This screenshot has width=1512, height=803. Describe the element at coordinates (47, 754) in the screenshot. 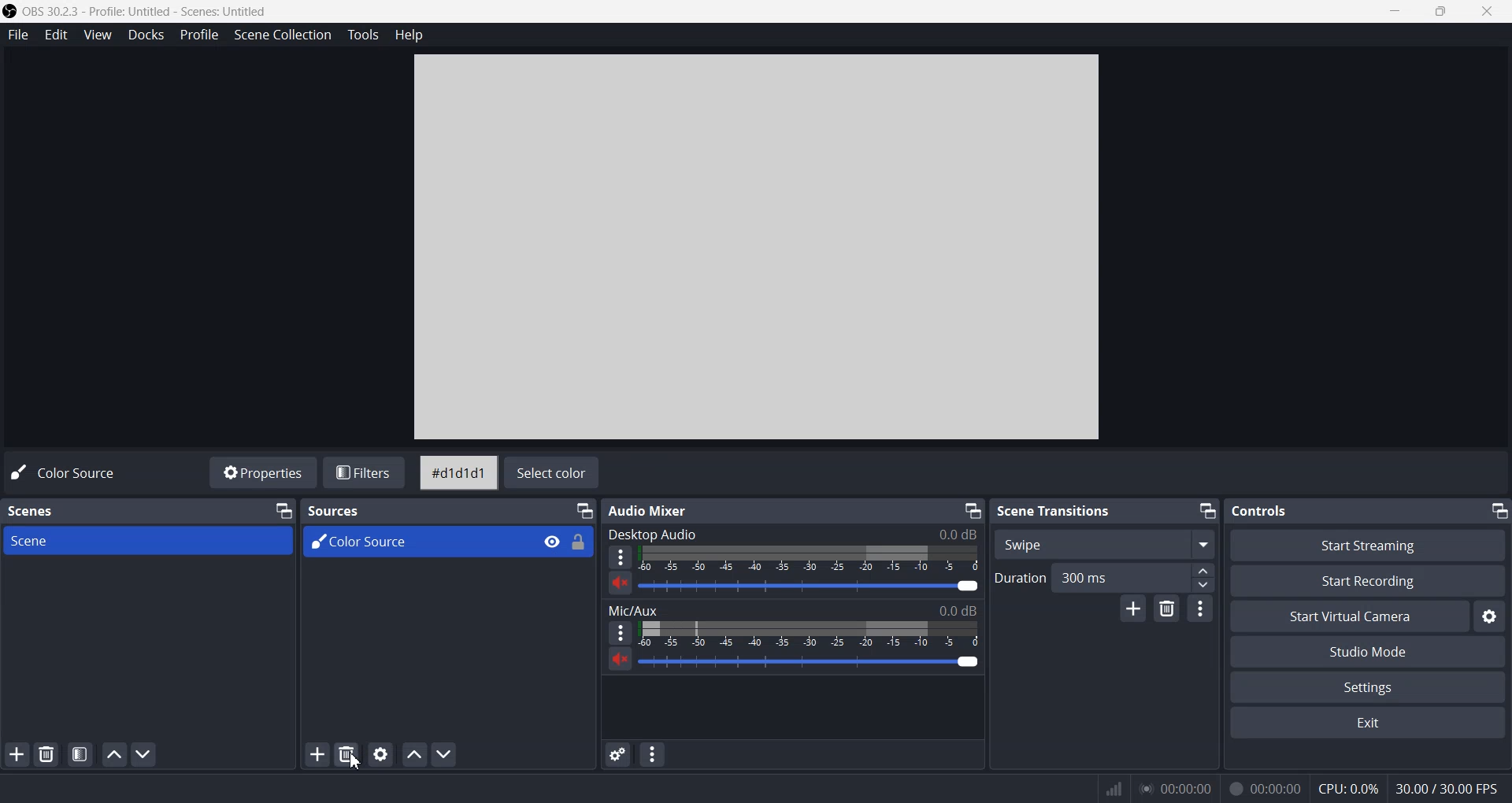

I see `Remove selected Scene` at that location.